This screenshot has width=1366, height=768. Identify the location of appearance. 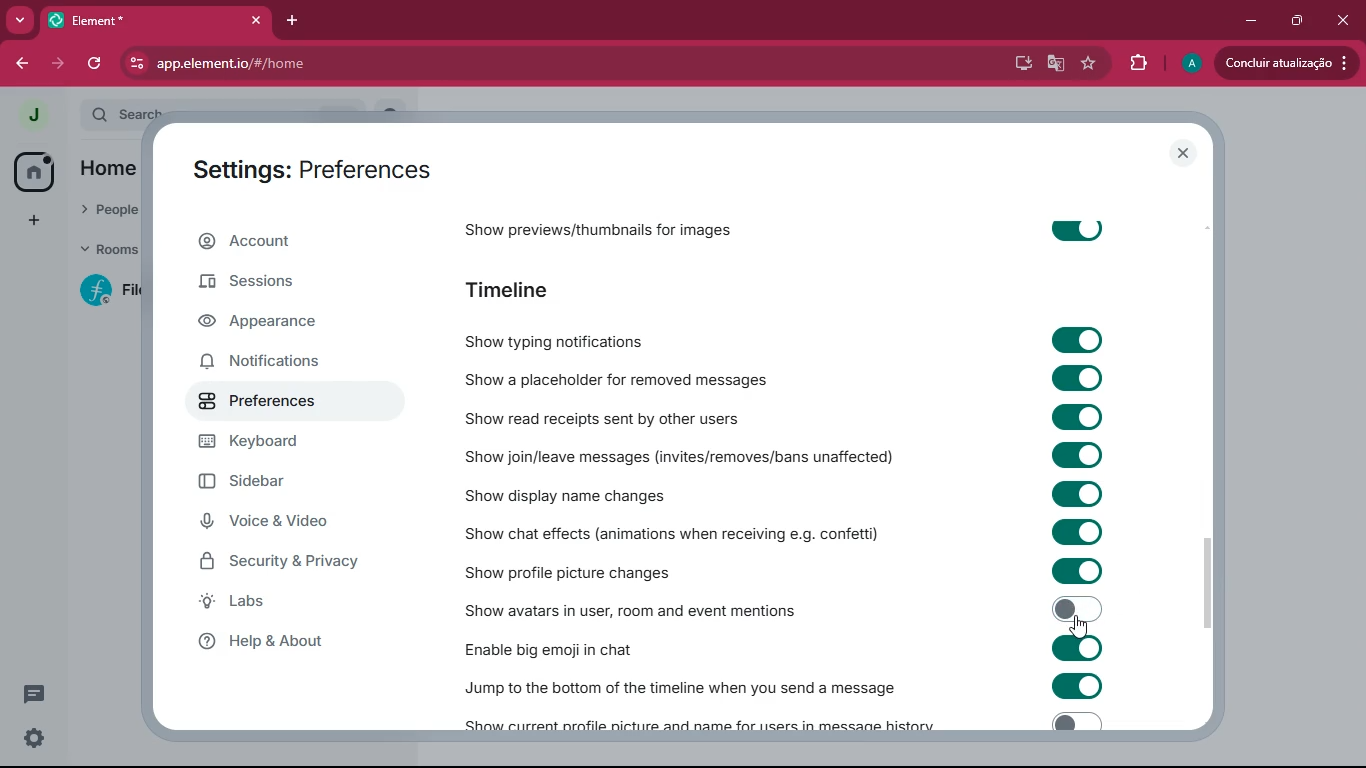
(280, 325).